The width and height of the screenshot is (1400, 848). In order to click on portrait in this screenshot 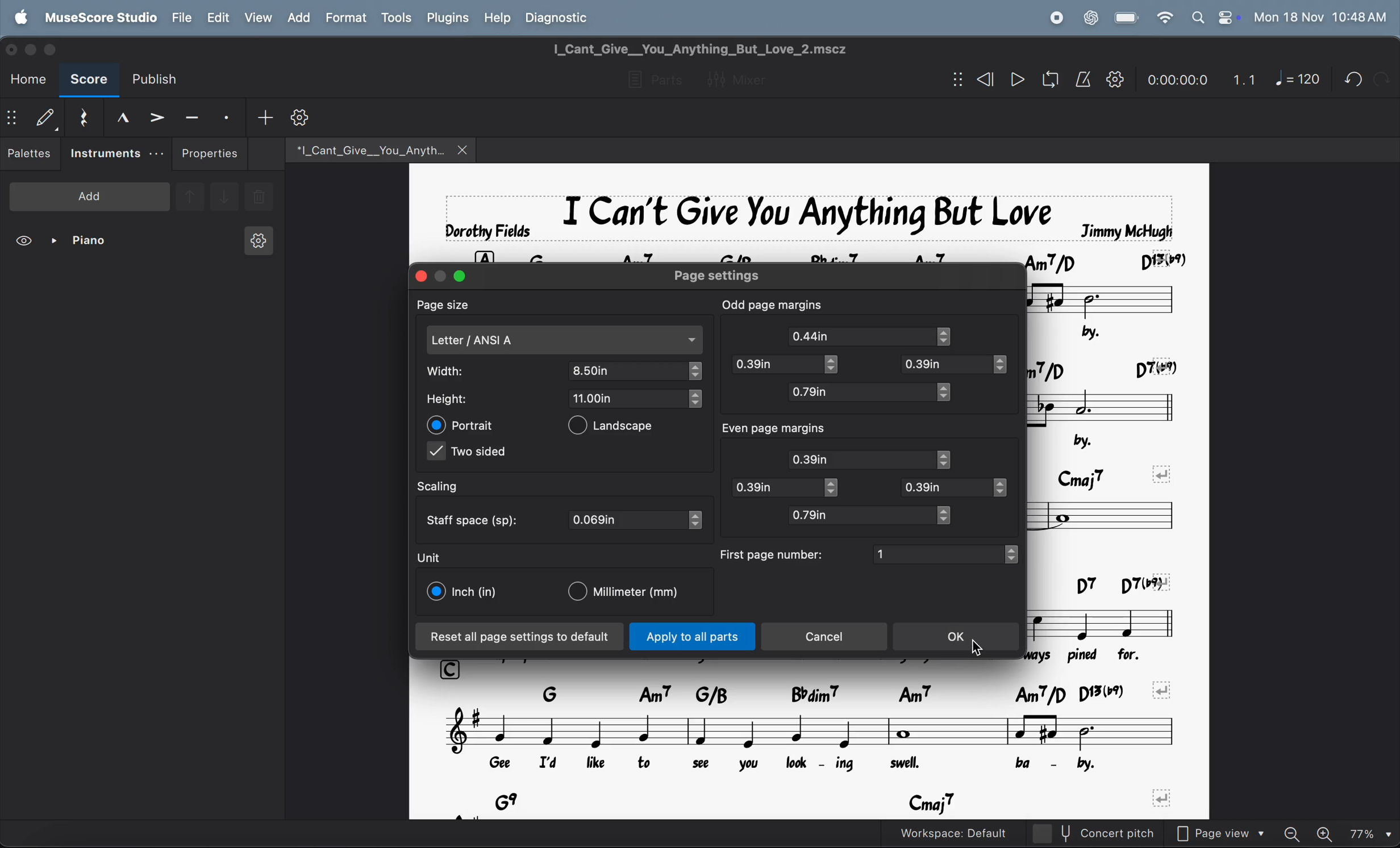, I will do `click(463, 425)`.